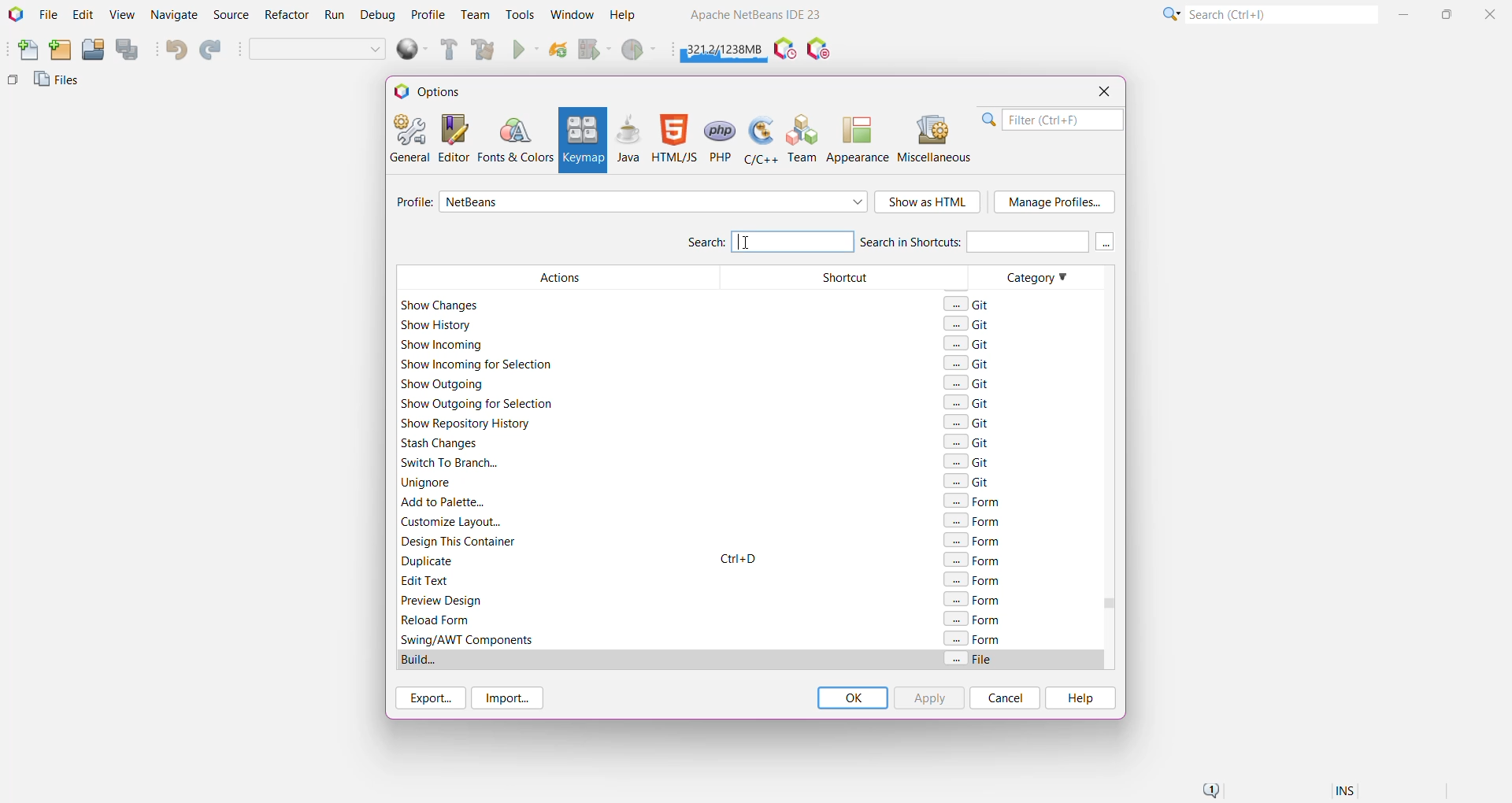 Image resolution: width=1512 pixels, height=803 pixels. What do you see at coordinates (1280, 13) in the screenshot?
I see `Search` at bounding box center [1280, 13].